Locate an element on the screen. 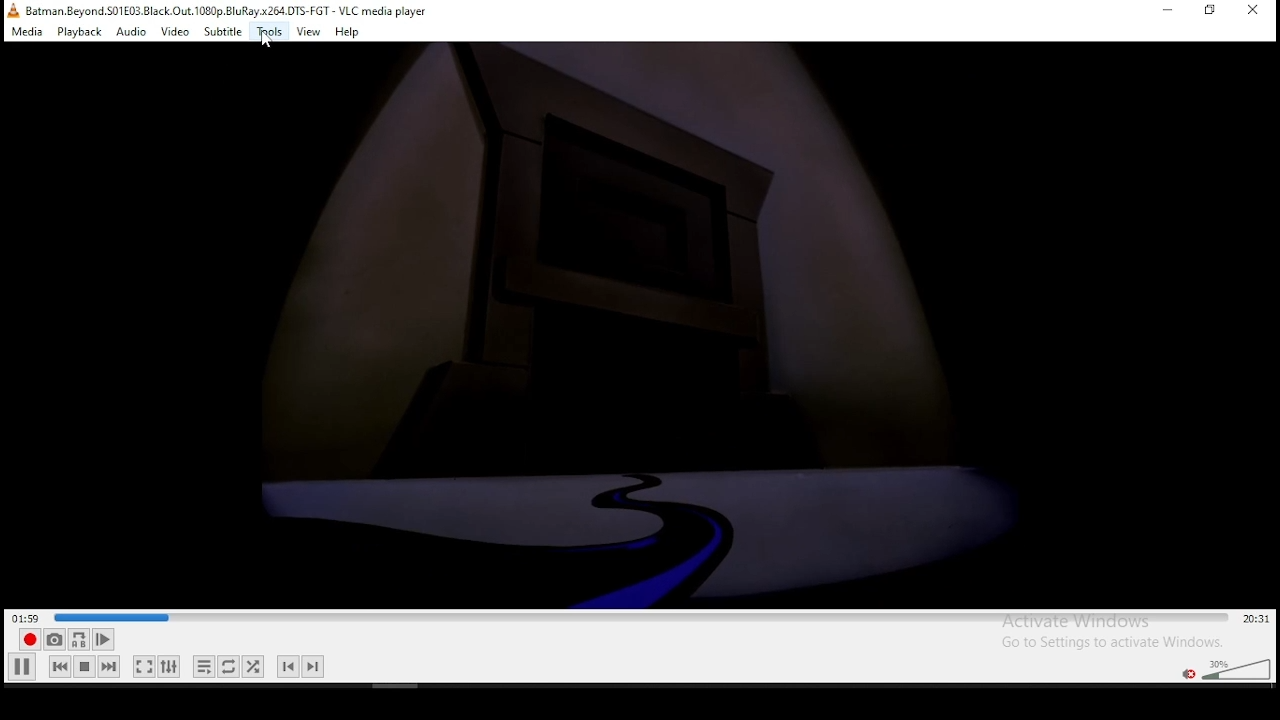 This screenshot has height=720, width=1280. media is located at coordinates (28, 31).